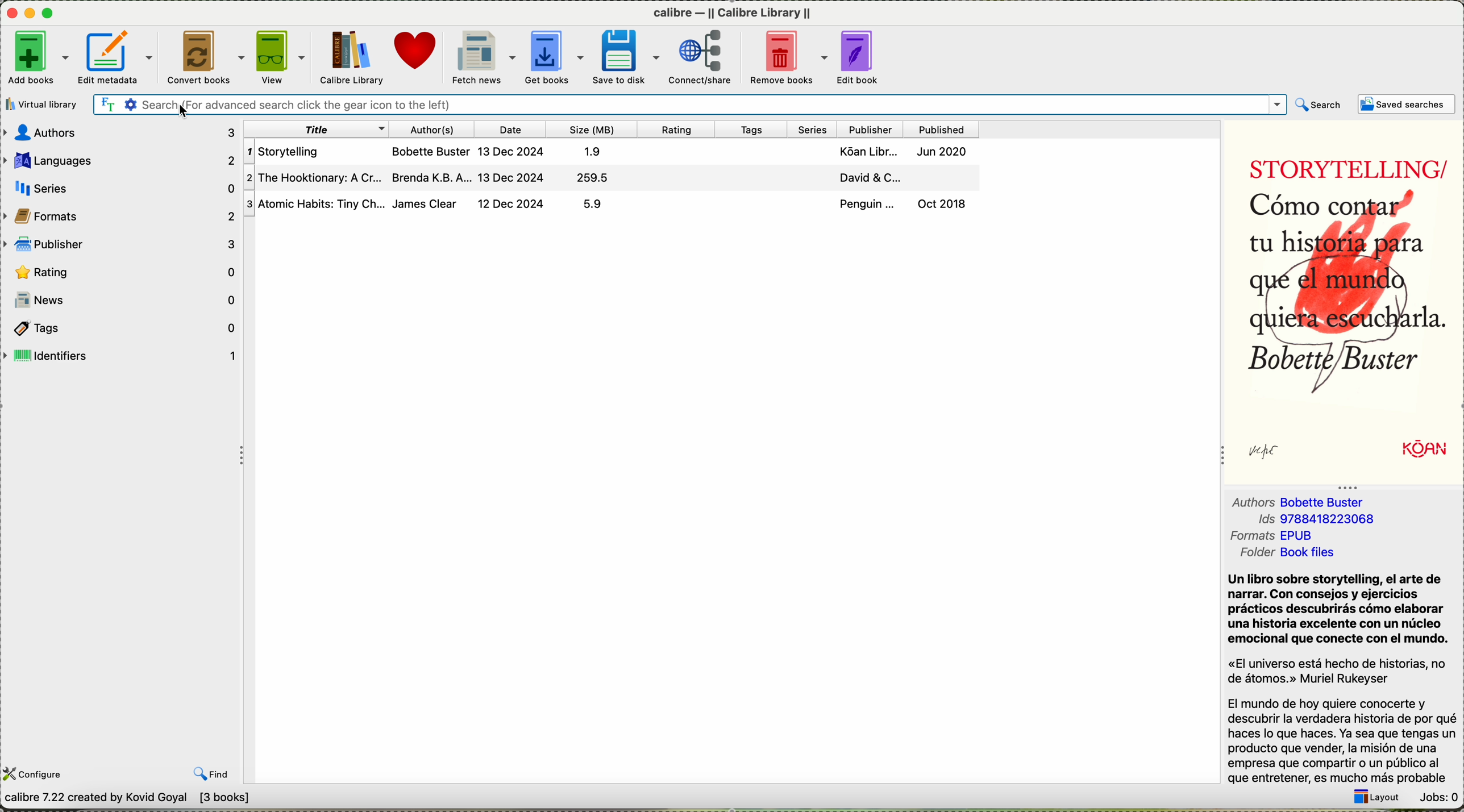 The width and height of the screenshot is (1464, 812). I want to click on The Hooktionary: A Cr.., so click(316, 177).